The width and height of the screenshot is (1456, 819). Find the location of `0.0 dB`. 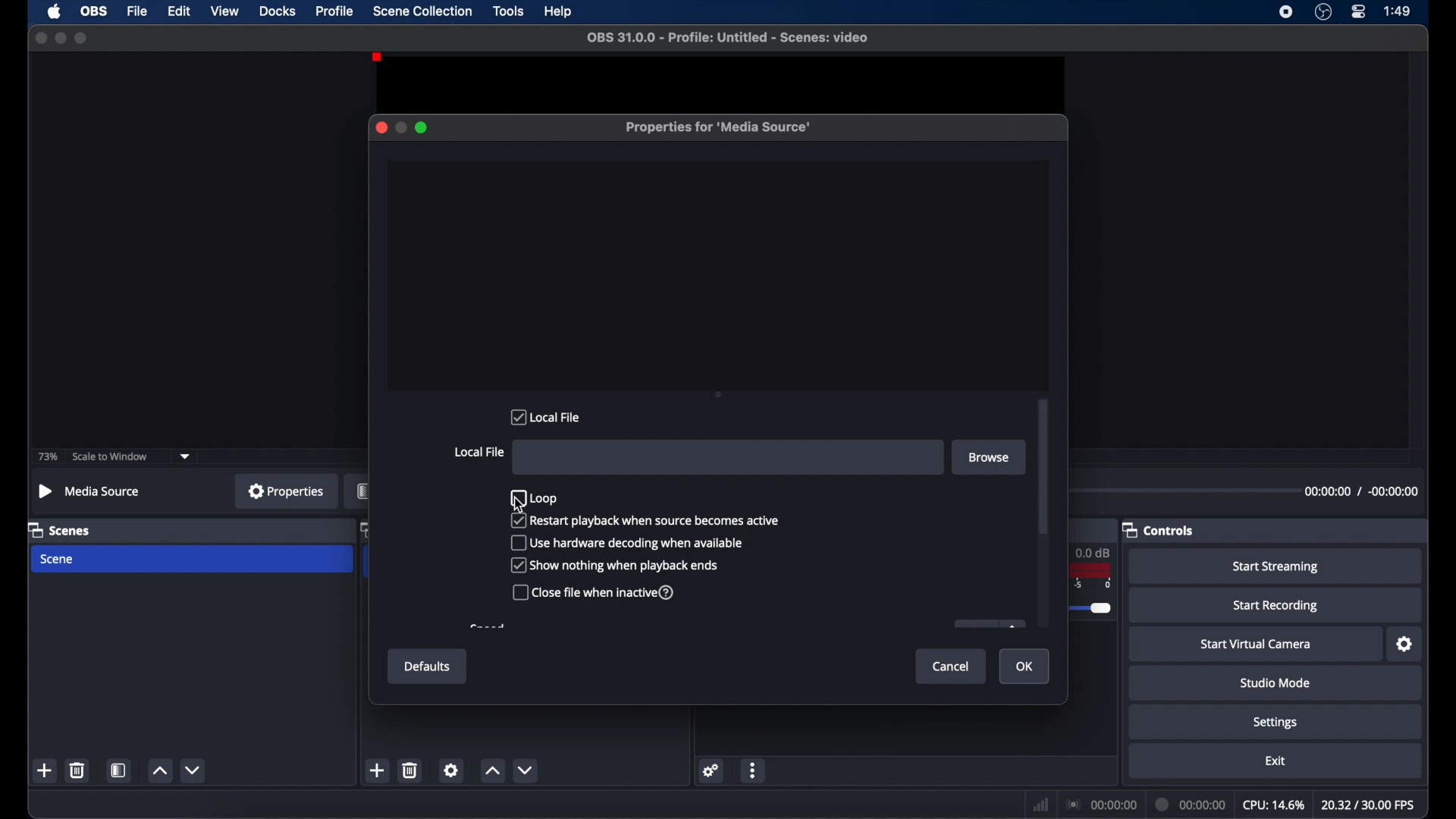

0.0 dB is located at coordinates (1097, 551).